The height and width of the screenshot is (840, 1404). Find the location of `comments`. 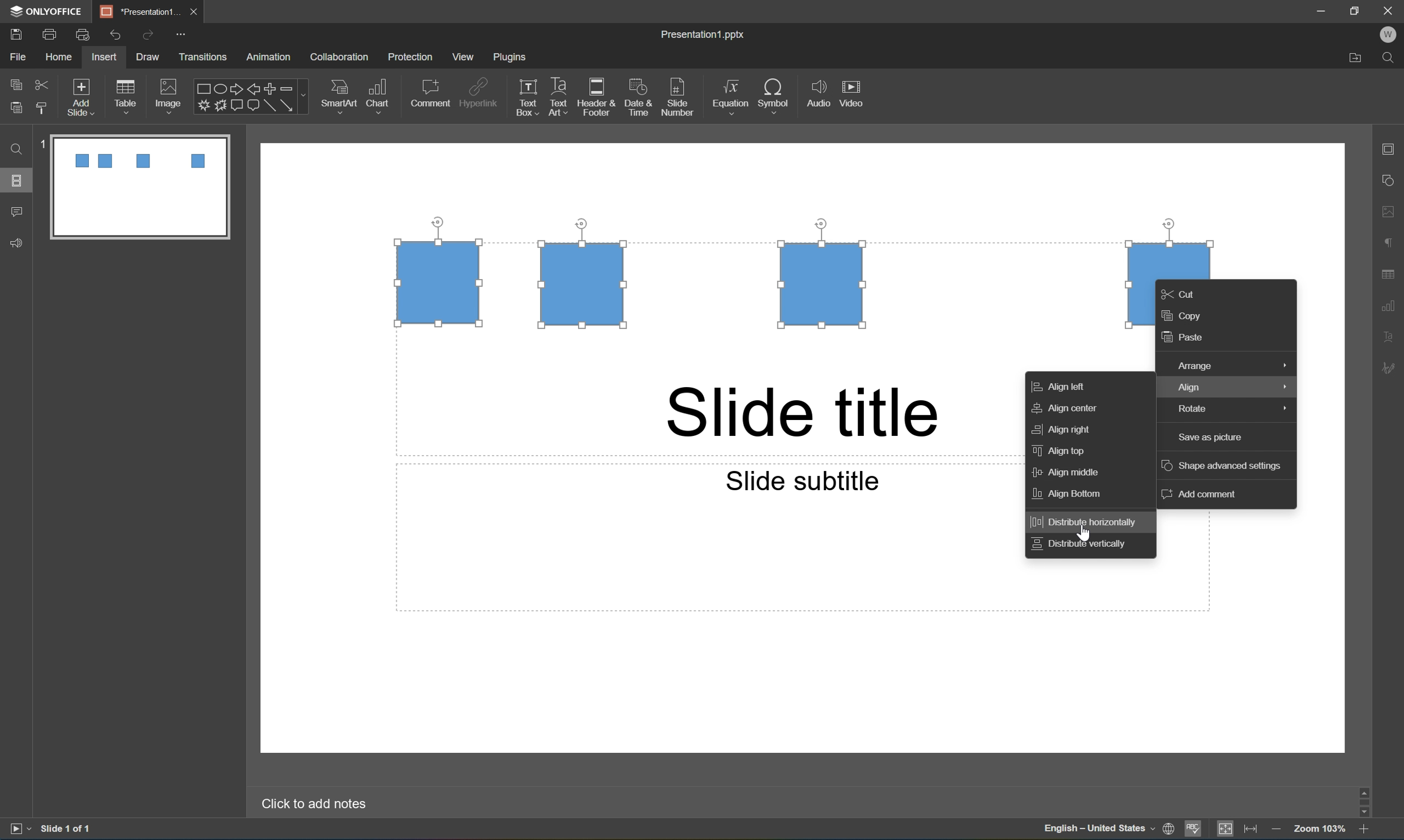

comments is located at coordinates (16, 212).